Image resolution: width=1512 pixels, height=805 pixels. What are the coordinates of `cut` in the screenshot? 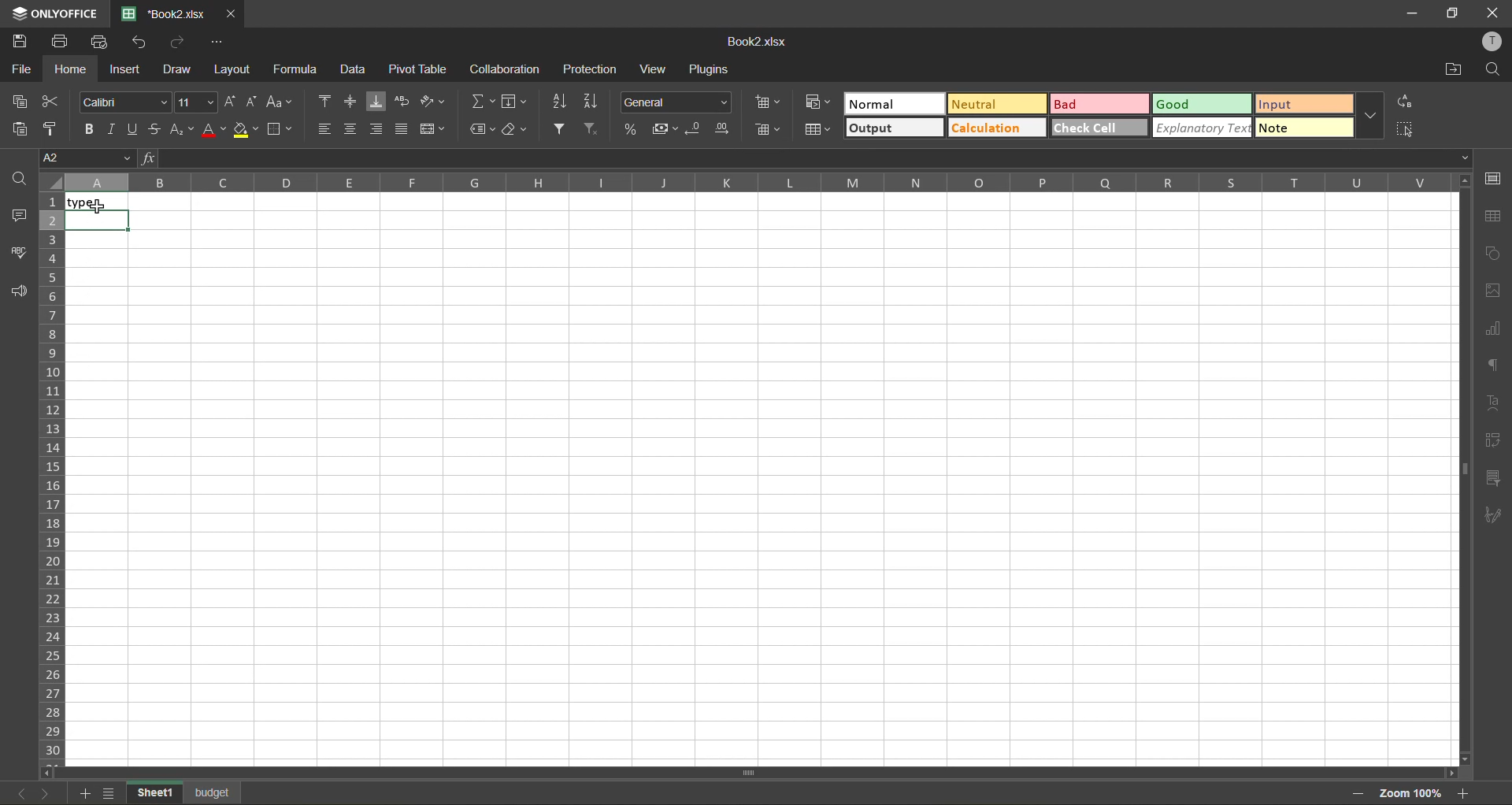 It's located at (55, 101).